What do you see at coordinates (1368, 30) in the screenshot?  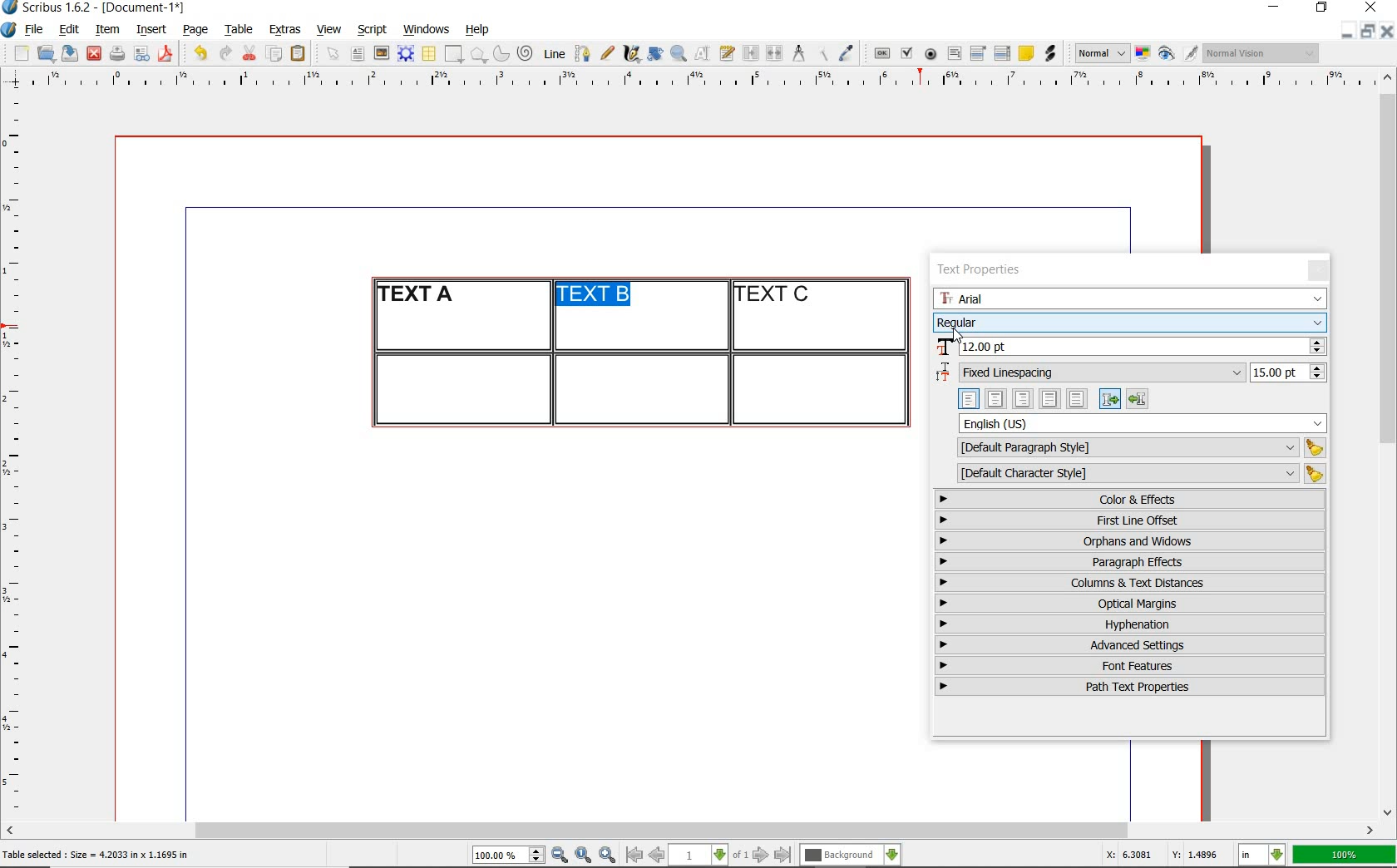 I see `restore` at bounding box center [1368, 30].